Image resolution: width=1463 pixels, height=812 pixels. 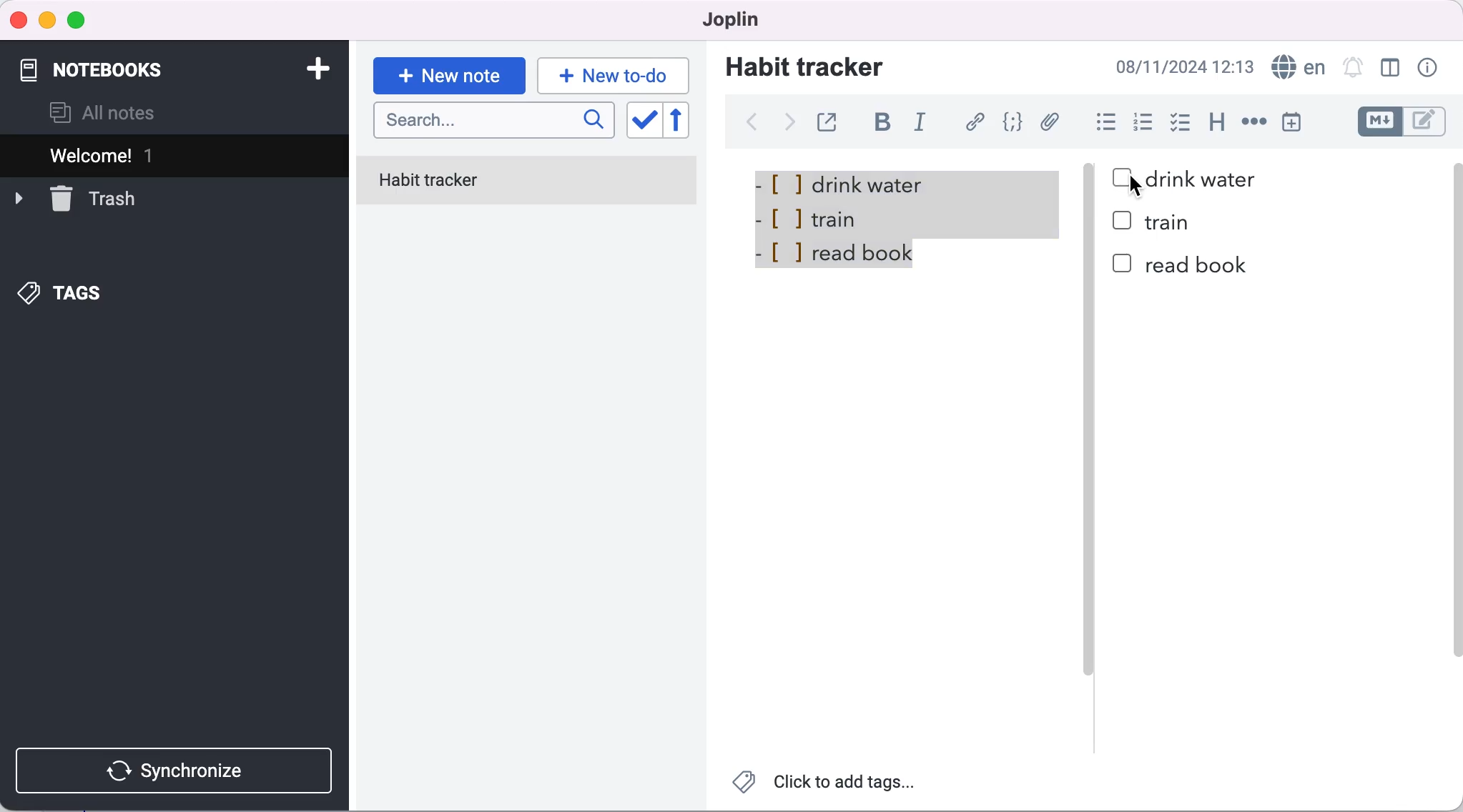 I want to click on -[ ] read book, so click(x=841, y=259).